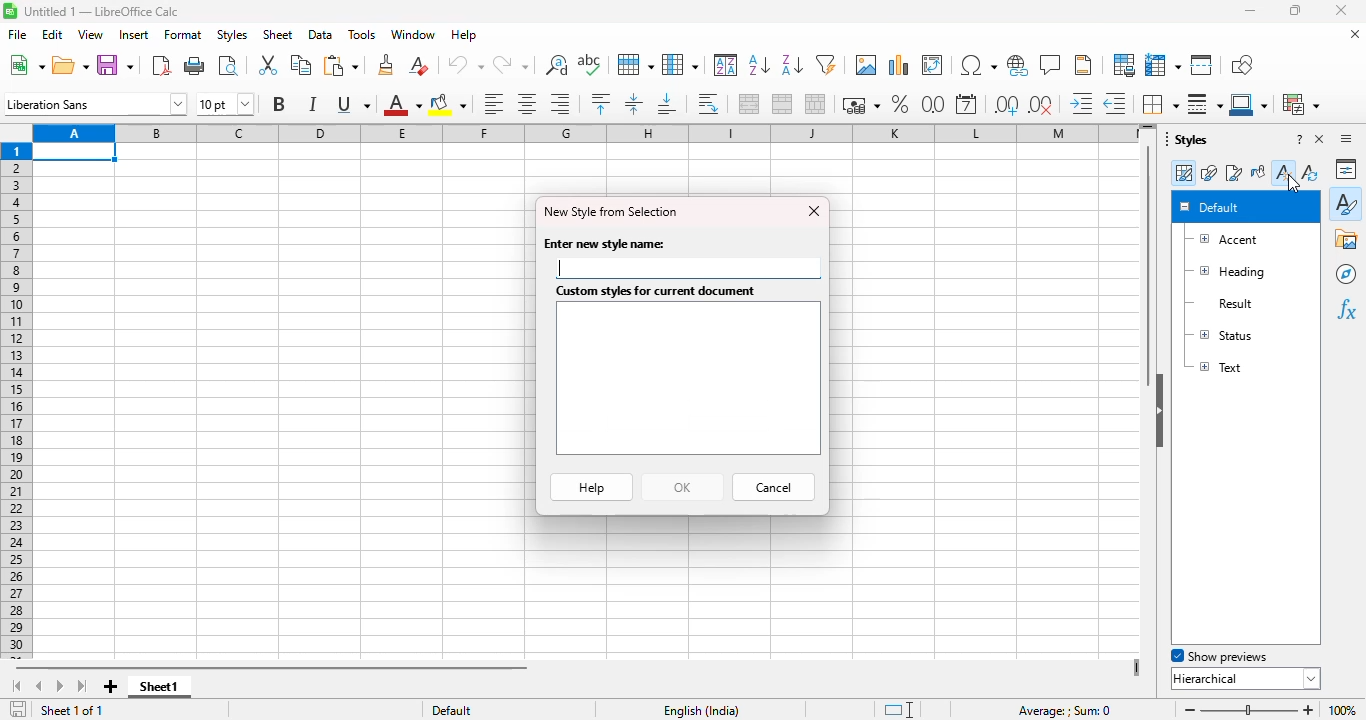  What do you see at coordinates (814, 211) in the screenshot?
I see `close` at bounding box center [814, 211].